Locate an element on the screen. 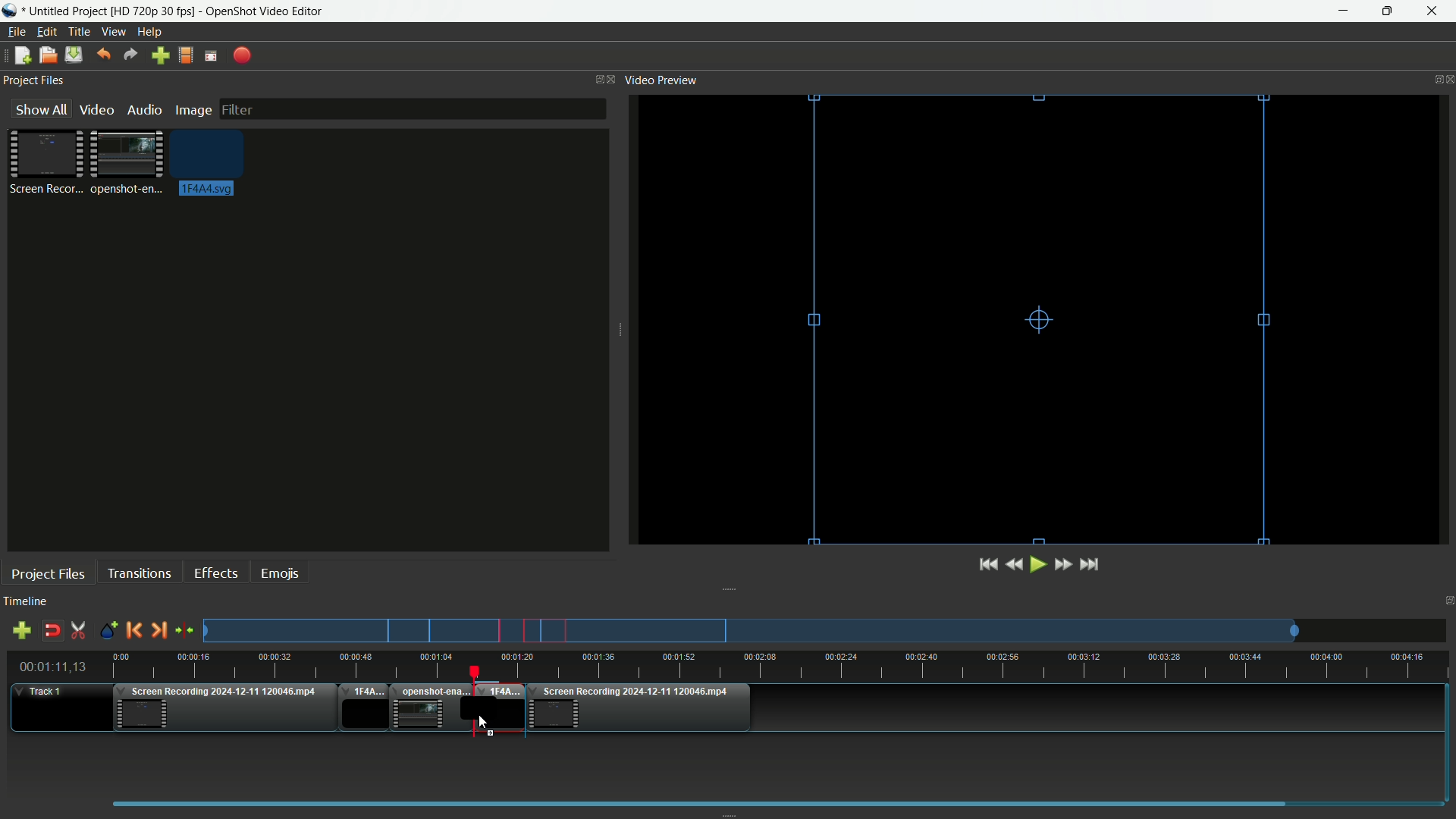  App icon is located at coordinates (12, 11).